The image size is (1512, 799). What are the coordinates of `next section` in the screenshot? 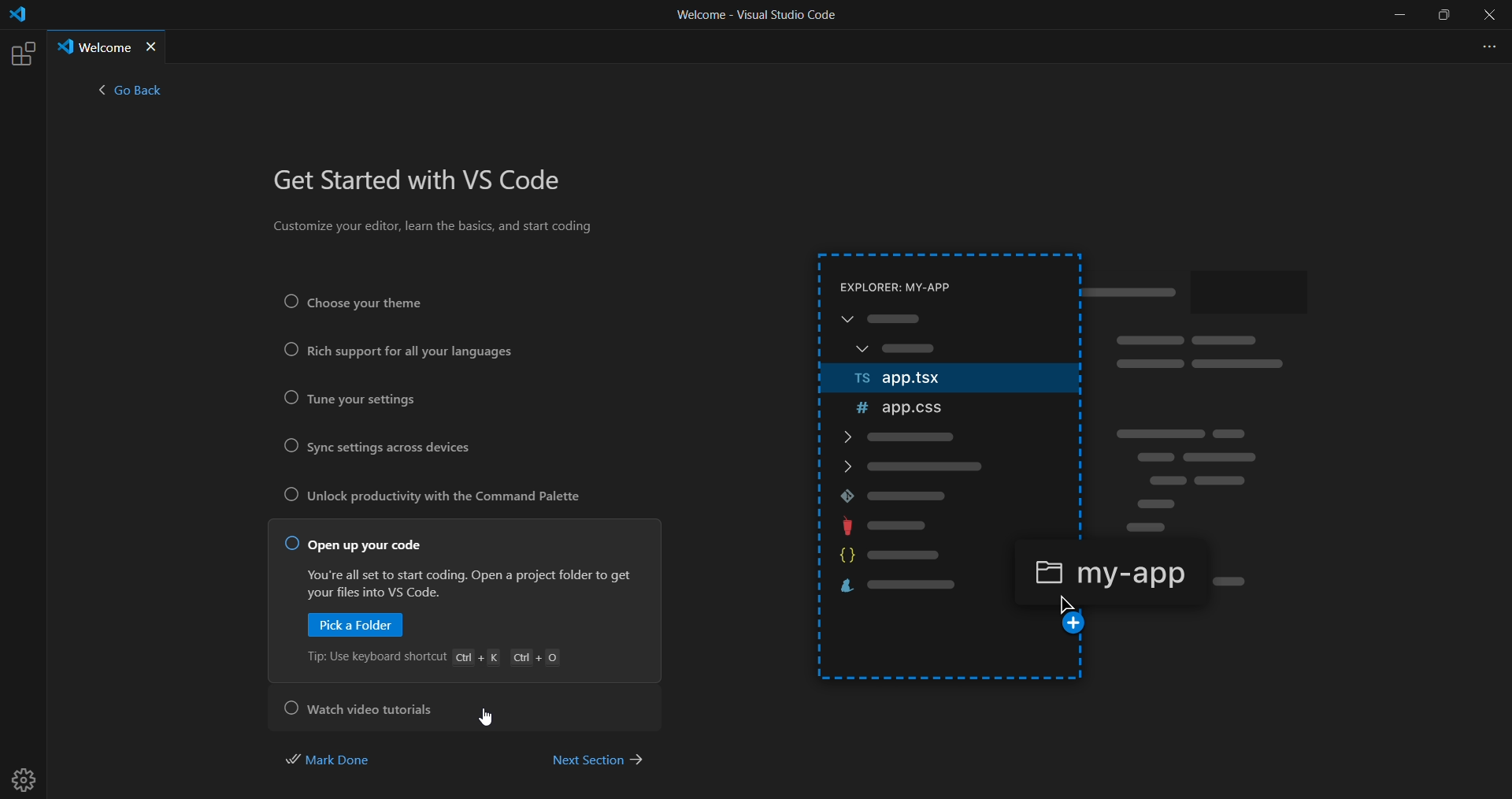 It's located at (597, 758).